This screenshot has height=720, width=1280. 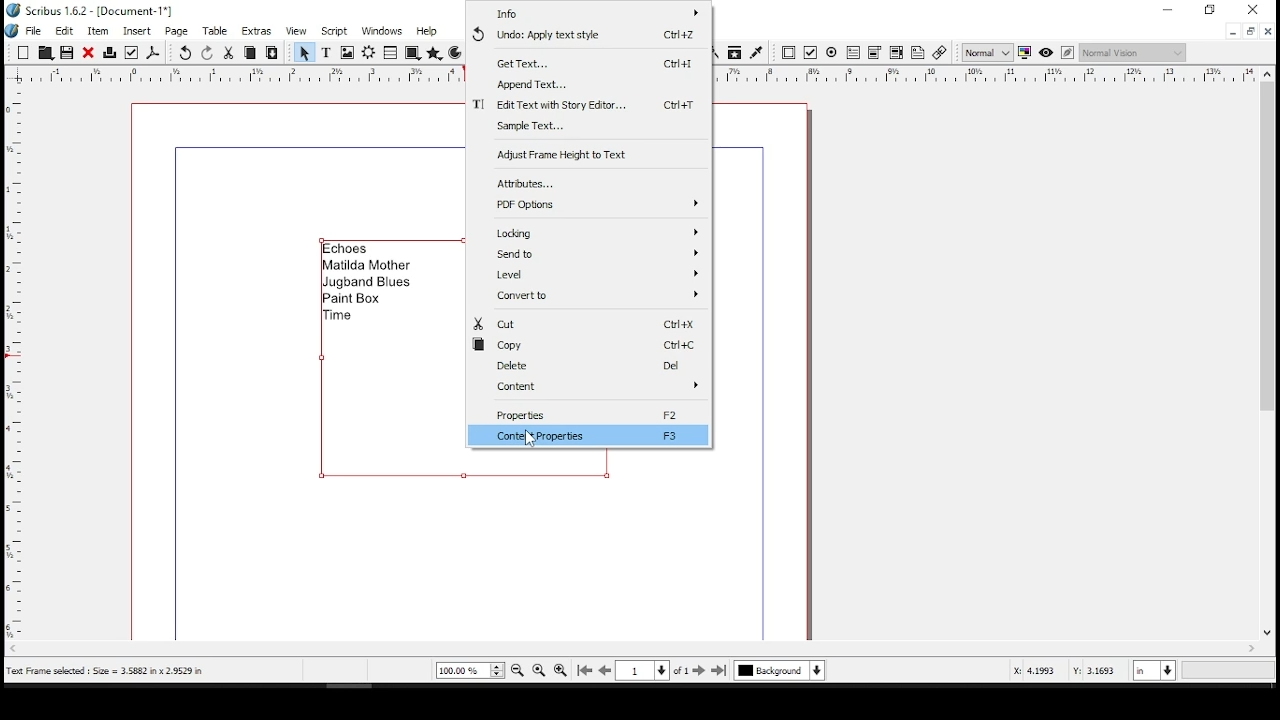 I want to click on time, so click(x=343, y=316).